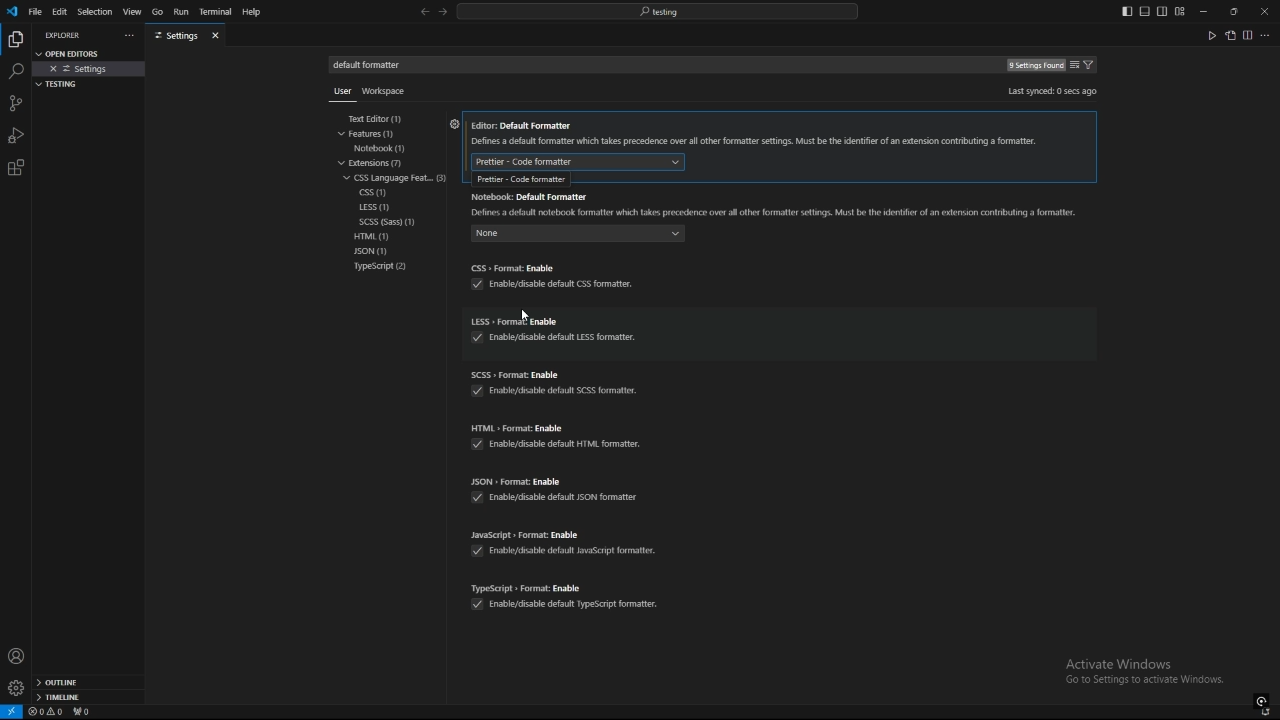  I want to click on extensions, so click(16, 168).